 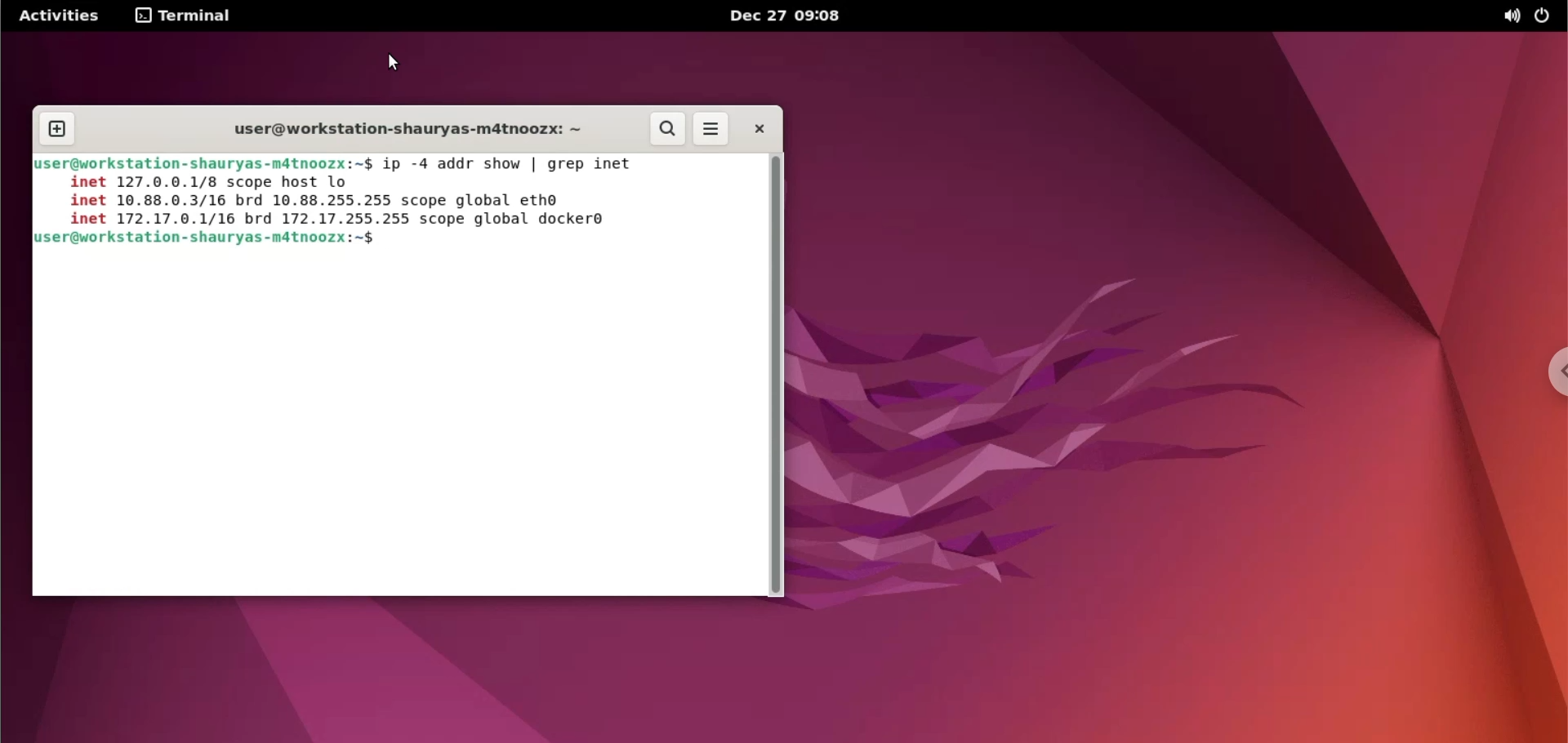 I want to click on more options, so click(x=711, y=131).